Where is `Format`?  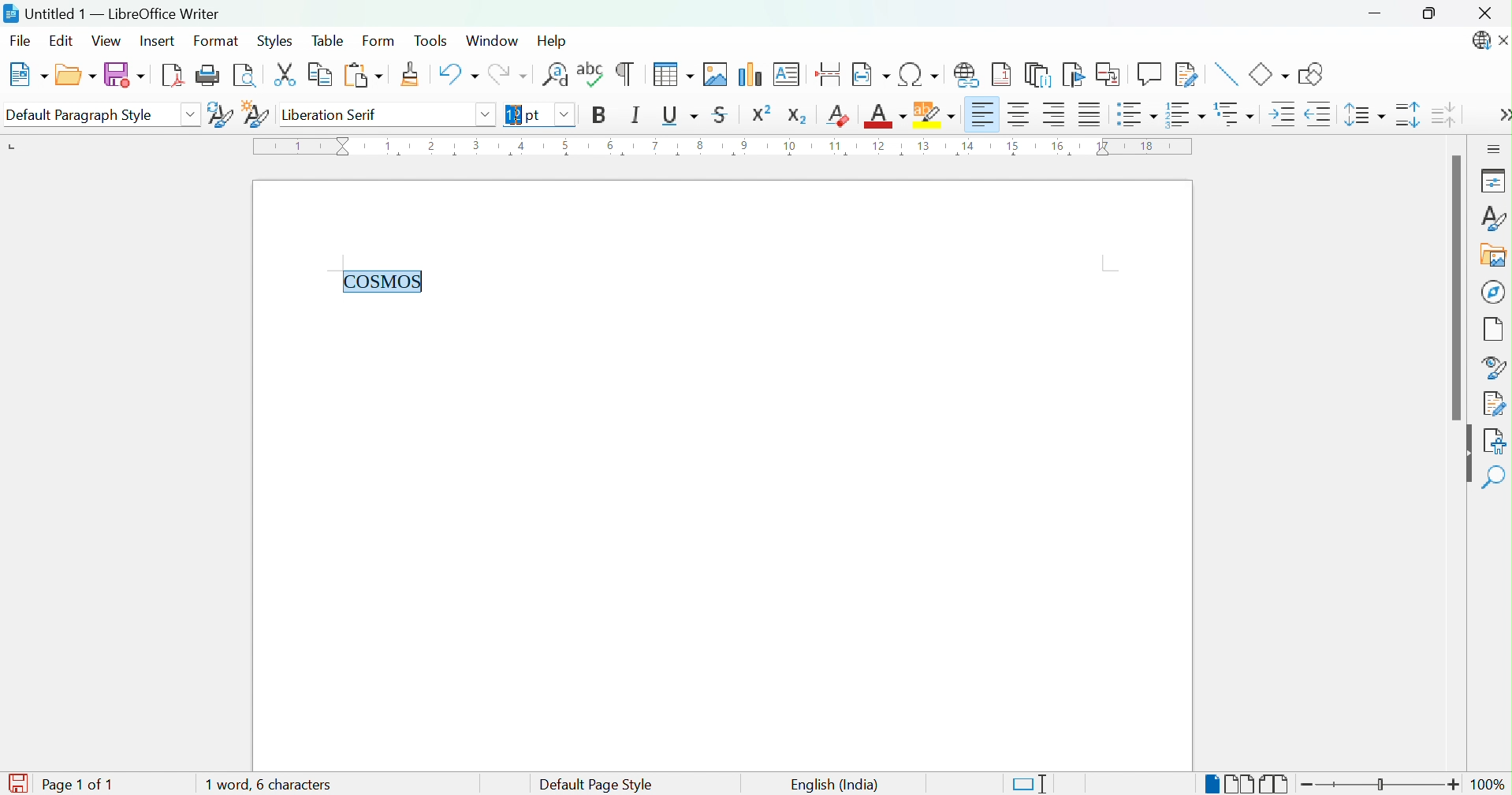
Format is located at coordinates (214, 42).